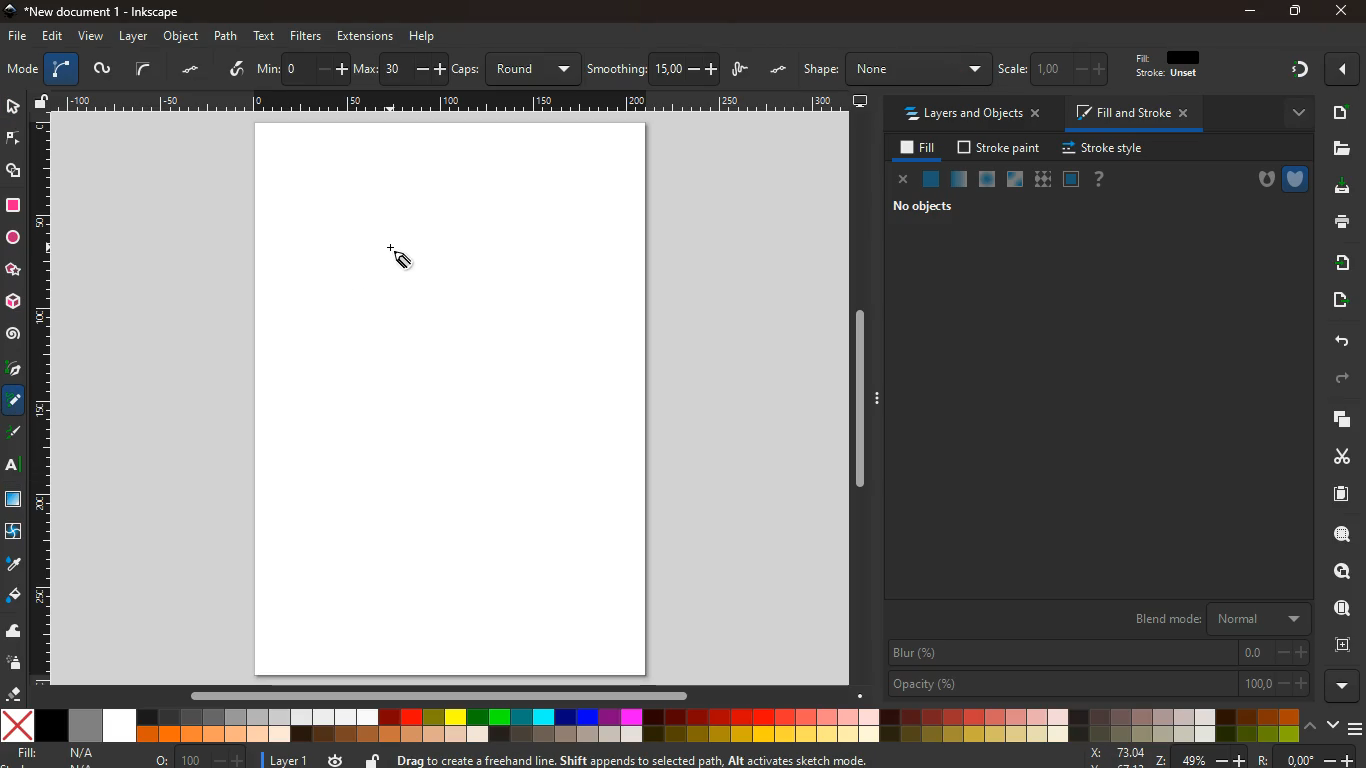 The height and width of the screenshot is (768, 1366). What do you see at coordinates (1336, 188) in the screenshot?
I see `download` at bounding box center [1336, 188].